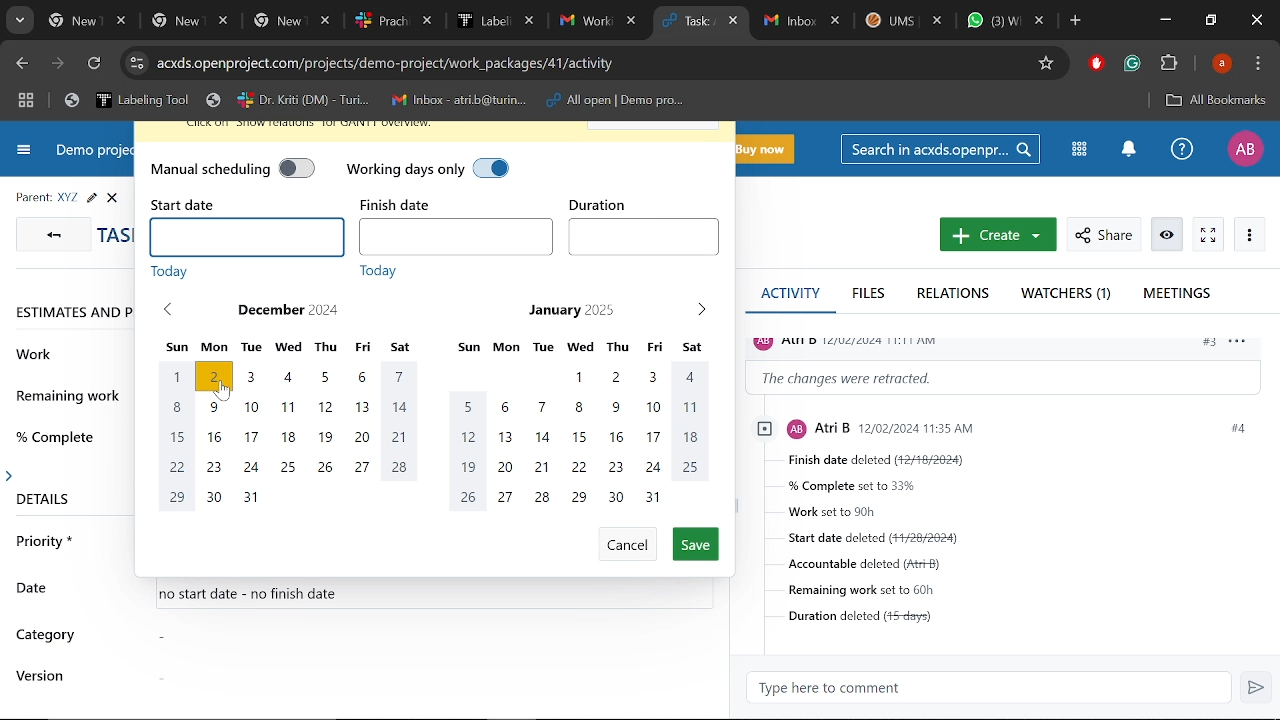  I want to click on manual scheduling off, so click(300, 166).